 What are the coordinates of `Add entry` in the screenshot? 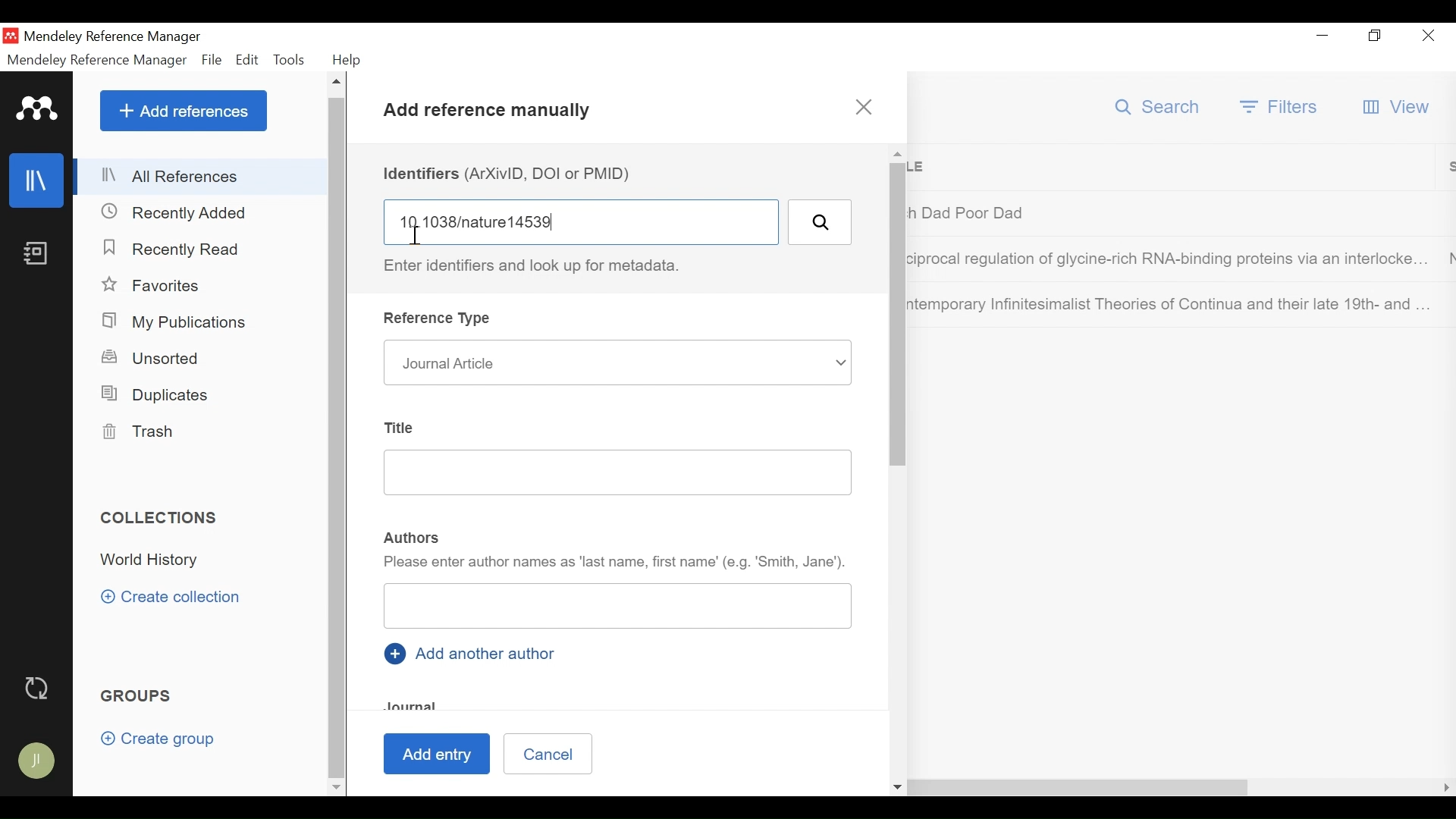 It's located at (441, 754).